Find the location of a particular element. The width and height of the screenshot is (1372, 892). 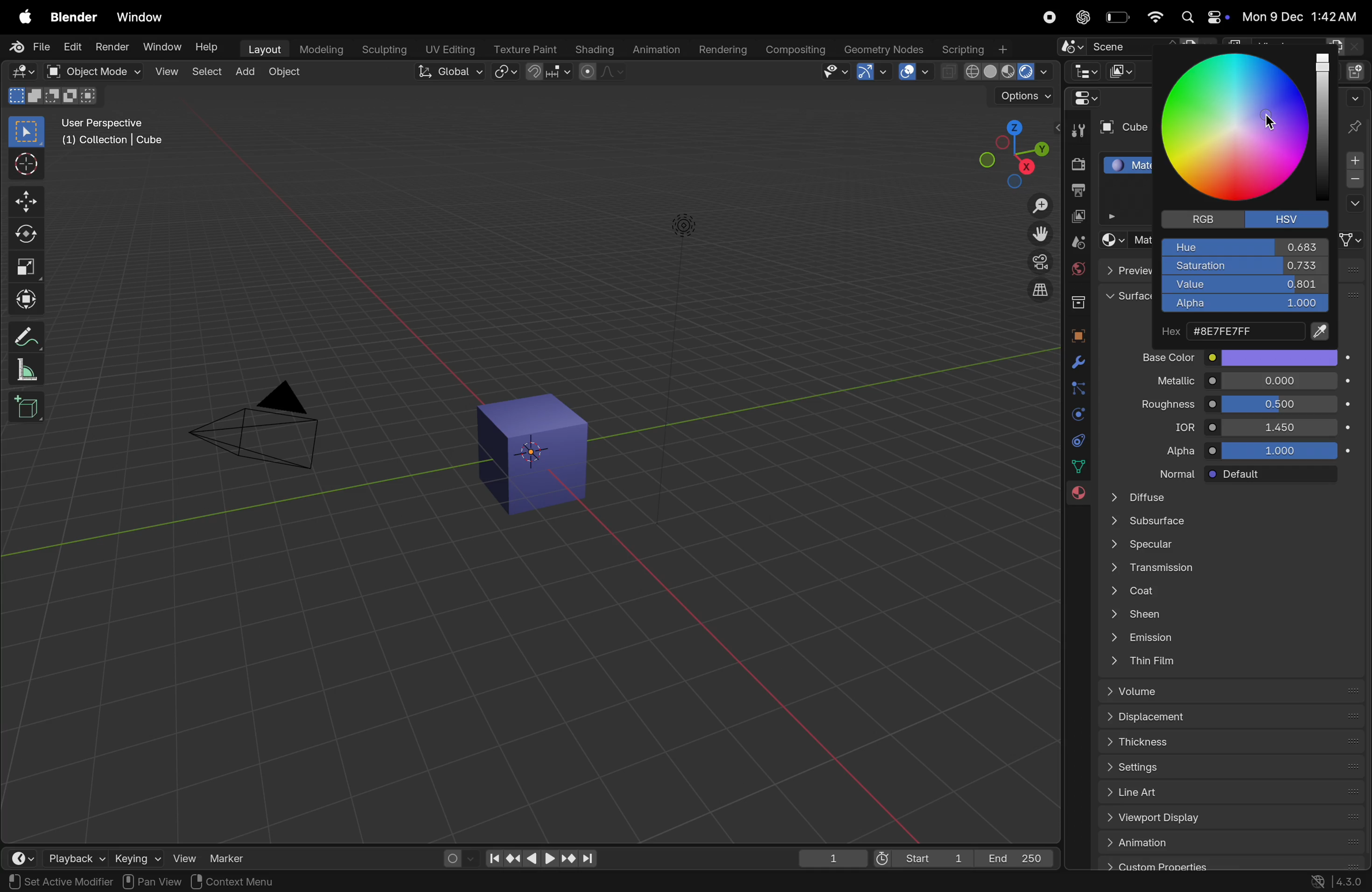

Blender menu is located at coordinates (73, 17).